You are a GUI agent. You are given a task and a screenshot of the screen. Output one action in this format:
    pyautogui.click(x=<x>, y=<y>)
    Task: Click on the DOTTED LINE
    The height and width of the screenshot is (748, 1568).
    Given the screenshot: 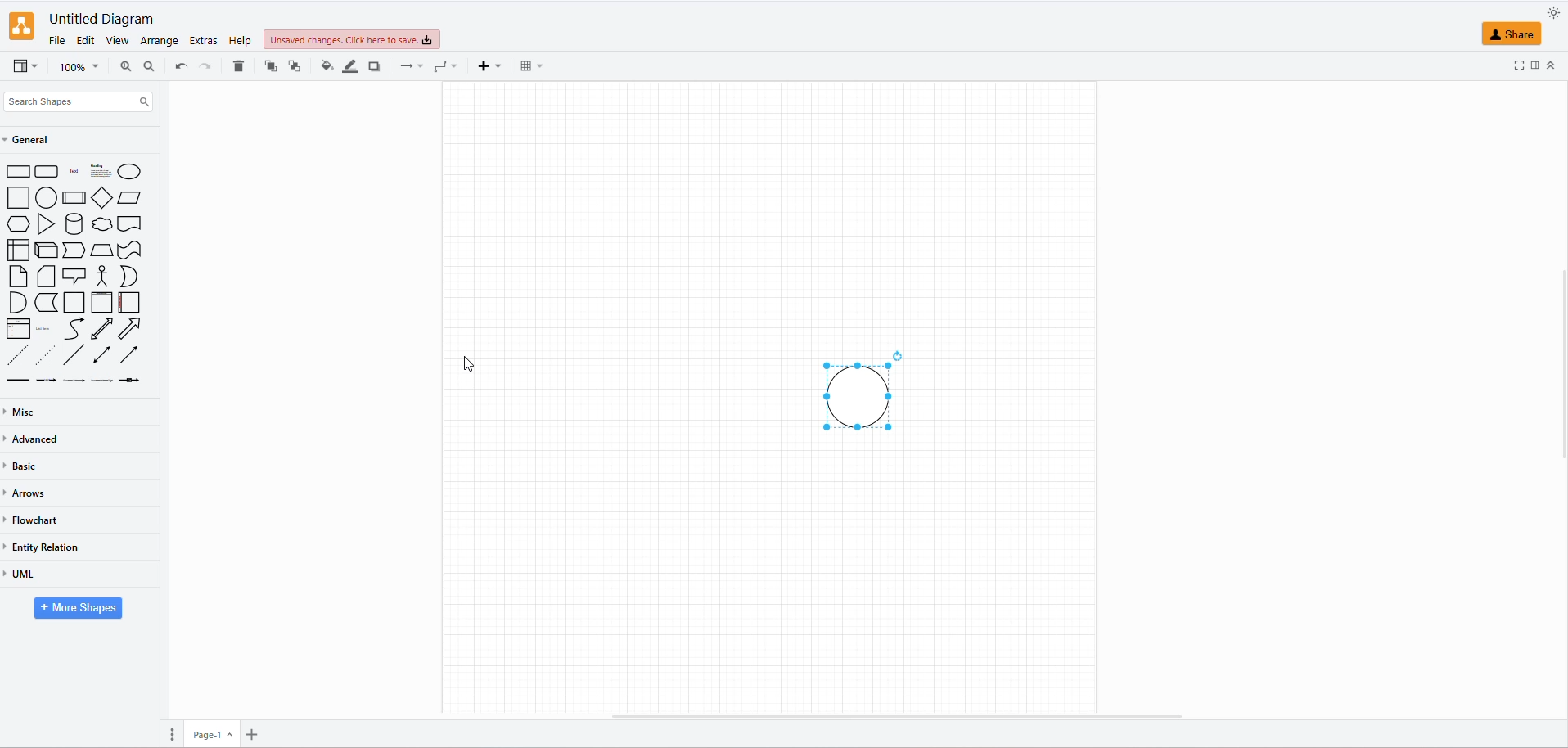 What is the action you would take?
    pyautogui.click(x=42, y=353)
    